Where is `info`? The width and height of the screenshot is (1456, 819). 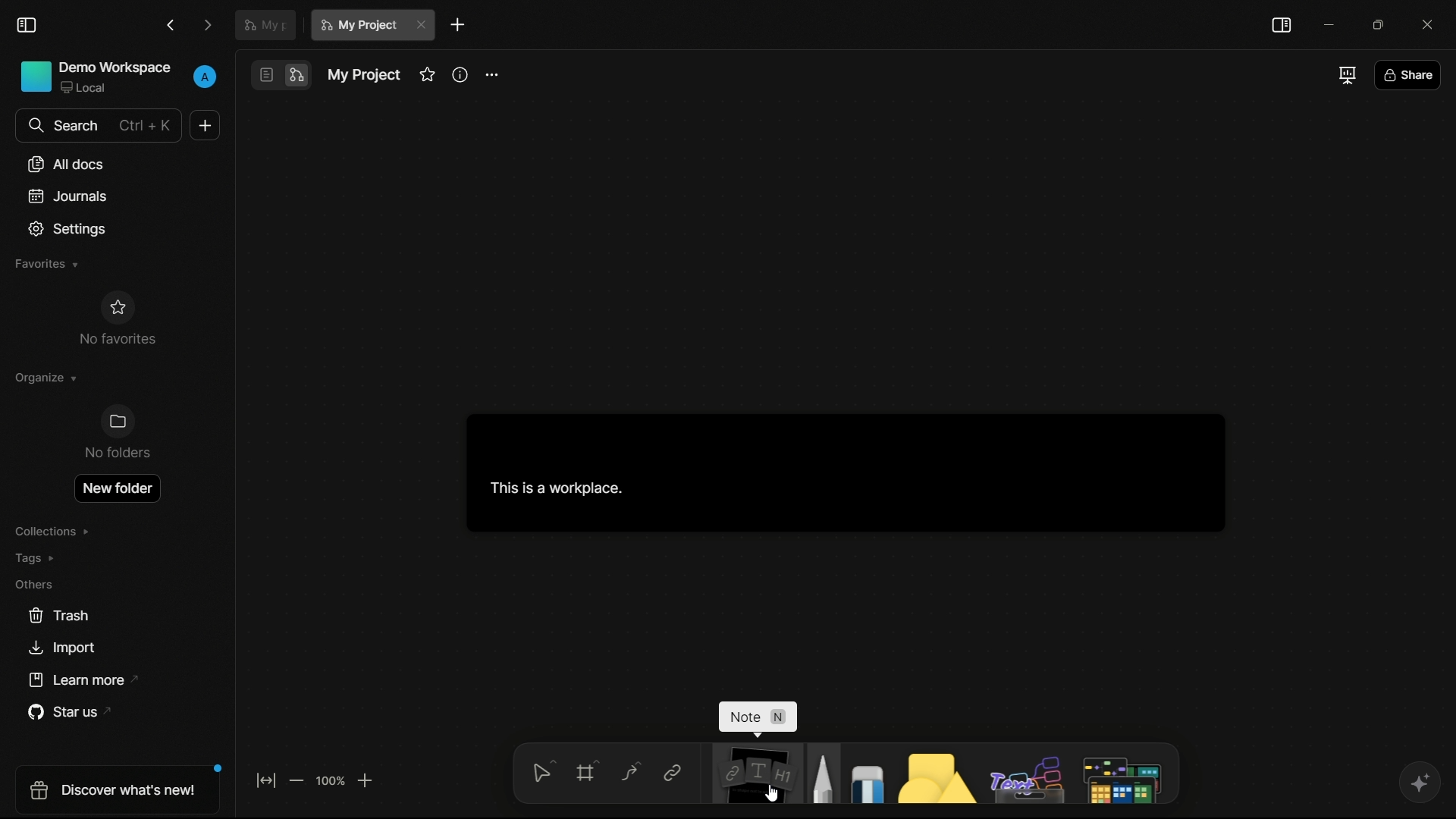 info is located at coordinates (461, 75).